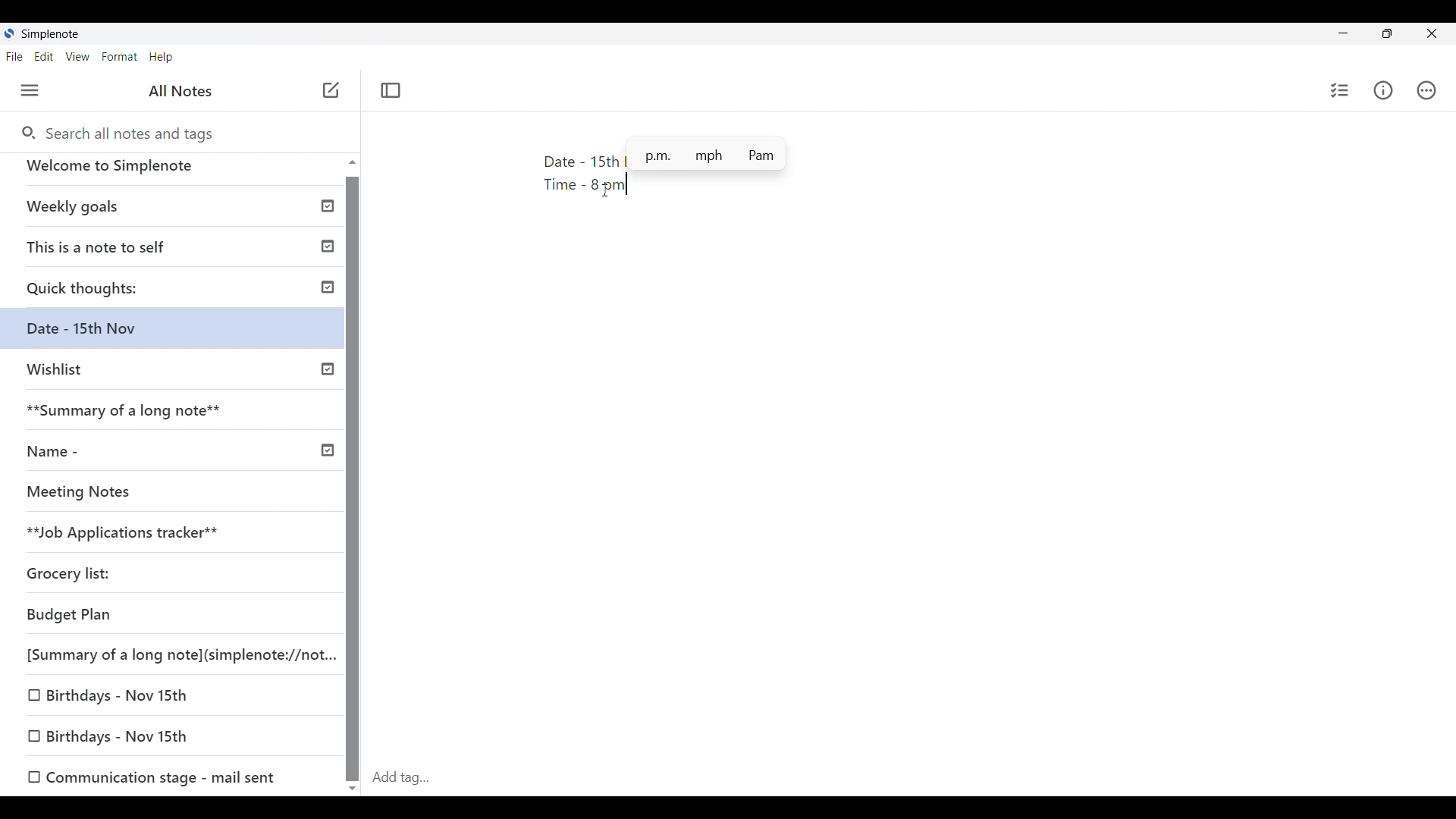 This screenshot has width=1456, height=819. I want to click on View menu, so click(78, 56).